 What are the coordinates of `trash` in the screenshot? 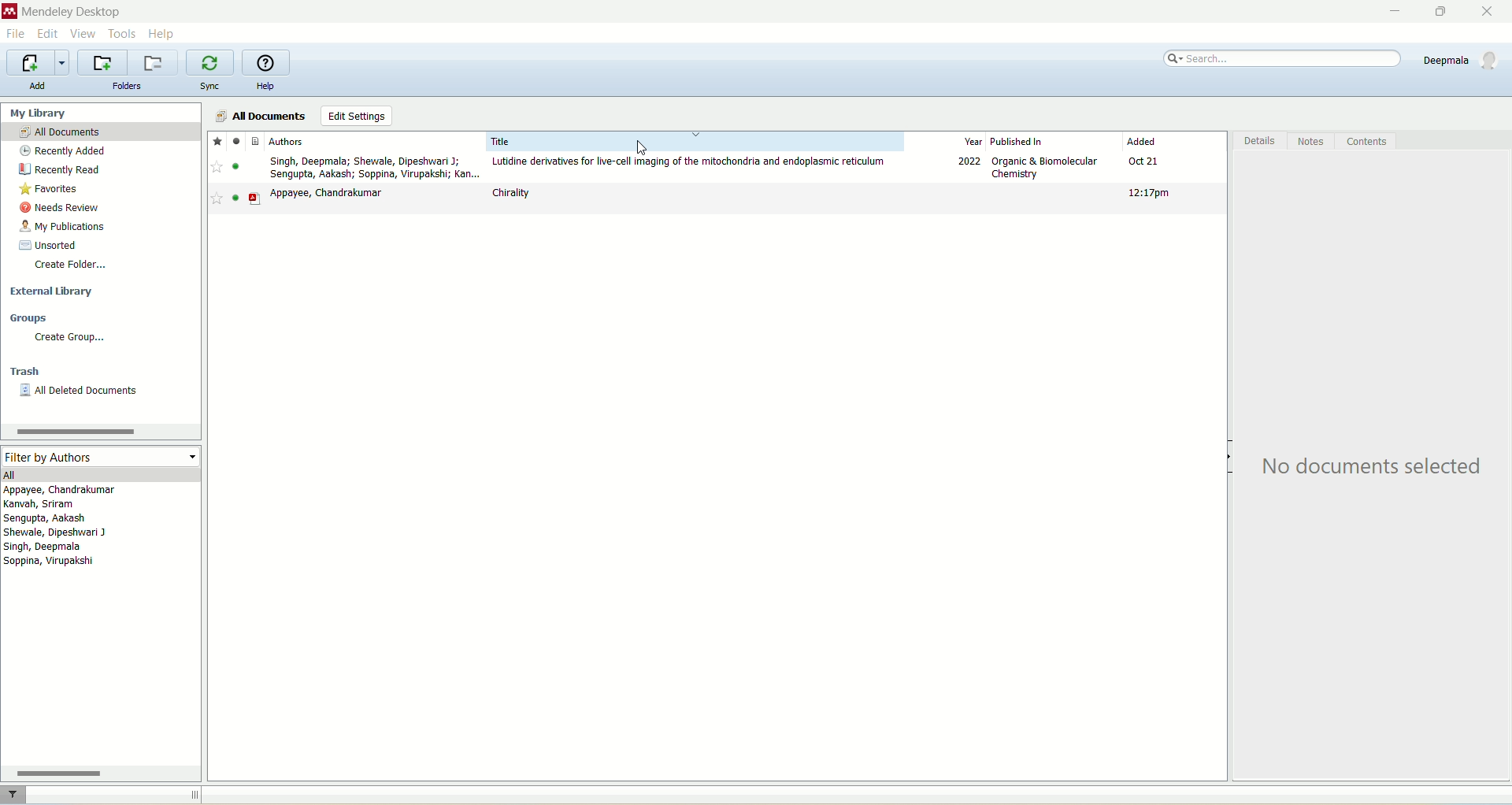 It's located at (23, 372).